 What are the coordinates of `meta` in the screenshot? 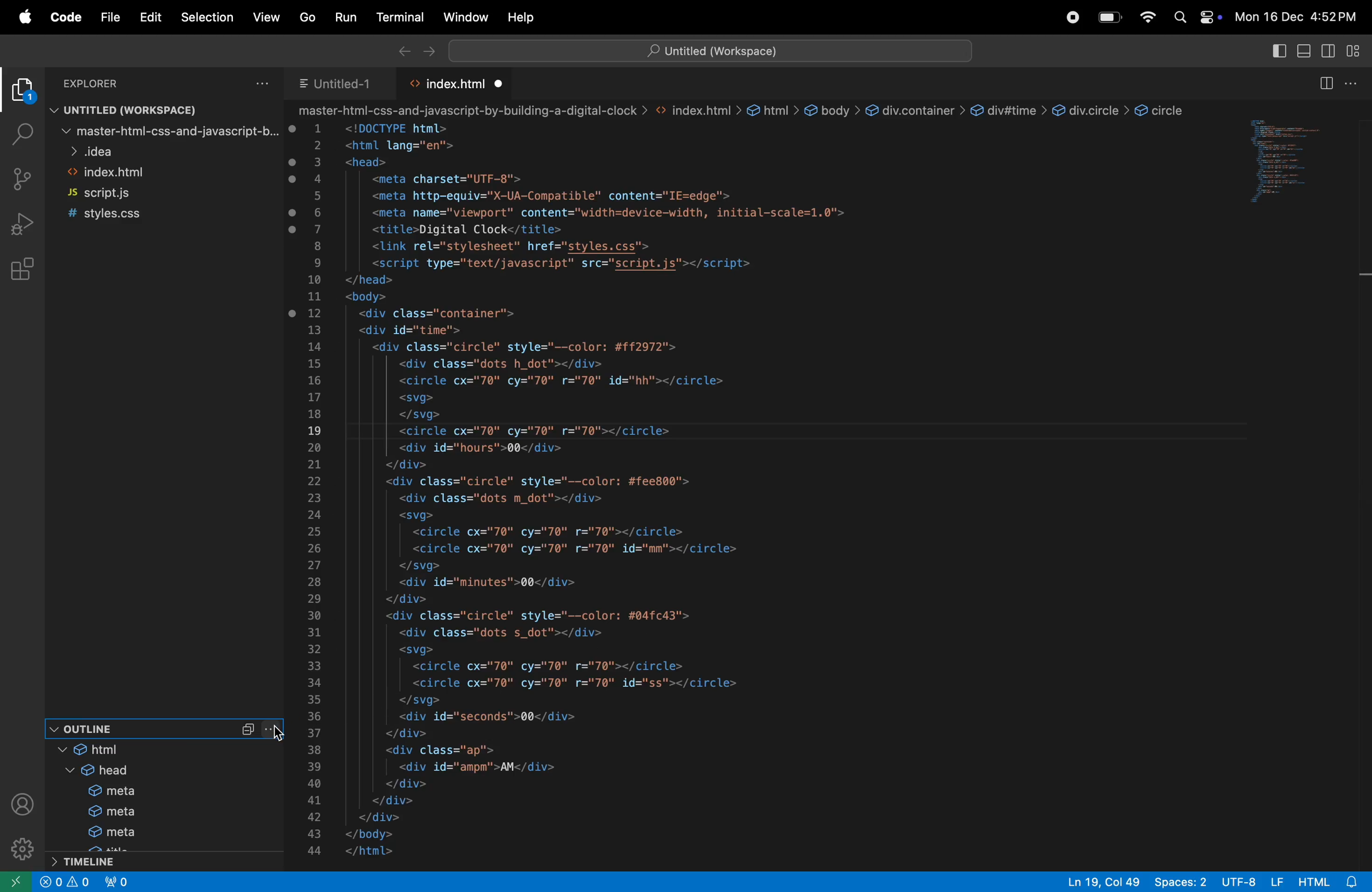 It's located at (103, 812).